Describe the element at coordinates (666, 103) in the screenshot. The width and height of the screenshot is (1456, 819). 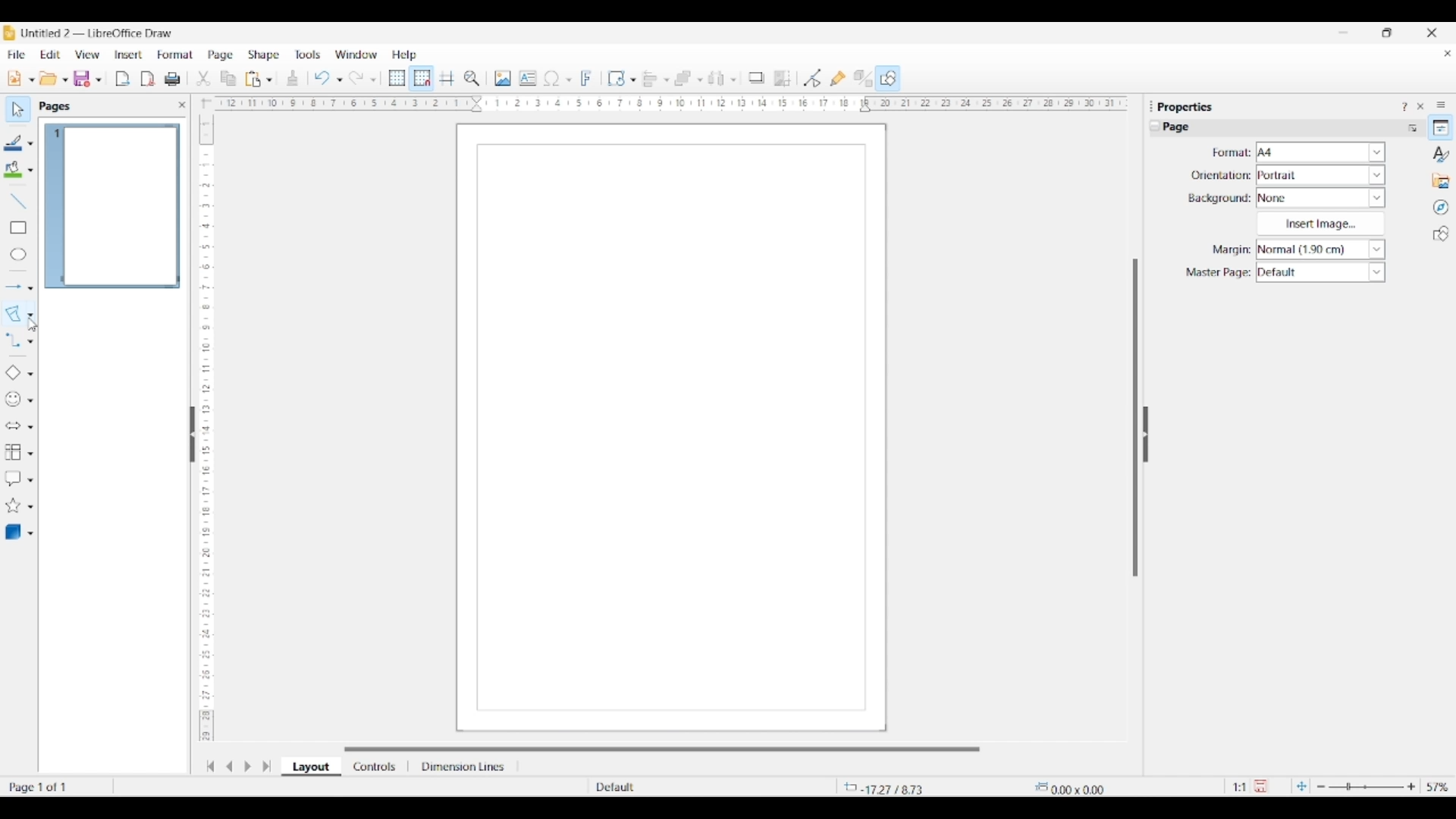
I see `Horizontal ruler` at that location.